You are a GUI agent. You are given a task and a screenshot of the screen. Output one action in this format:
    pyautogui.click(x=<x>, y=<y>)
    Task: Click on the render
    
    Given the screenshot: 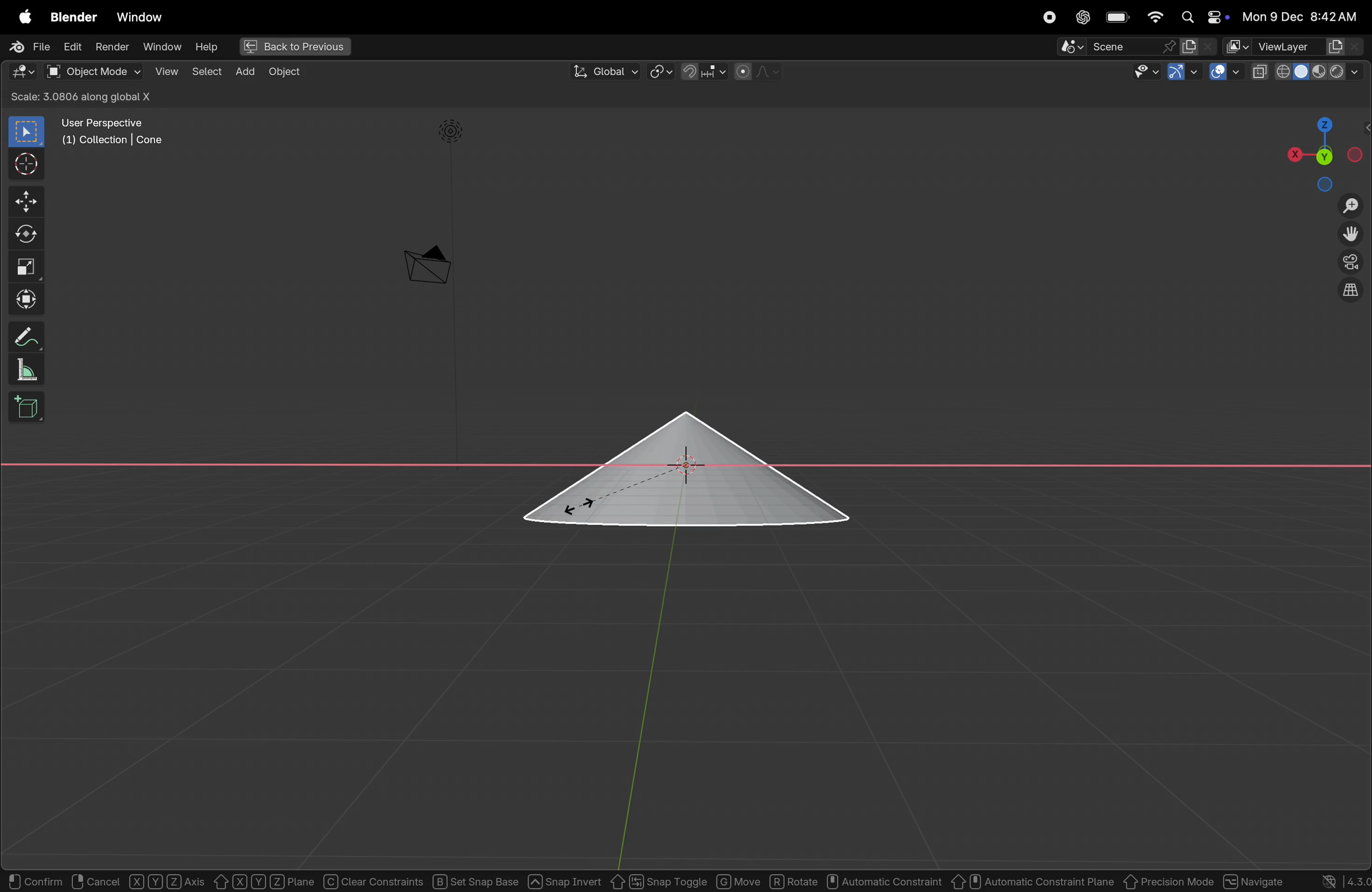 What is the action you would take?
    pyautogui.click(x=111, y=47)
    